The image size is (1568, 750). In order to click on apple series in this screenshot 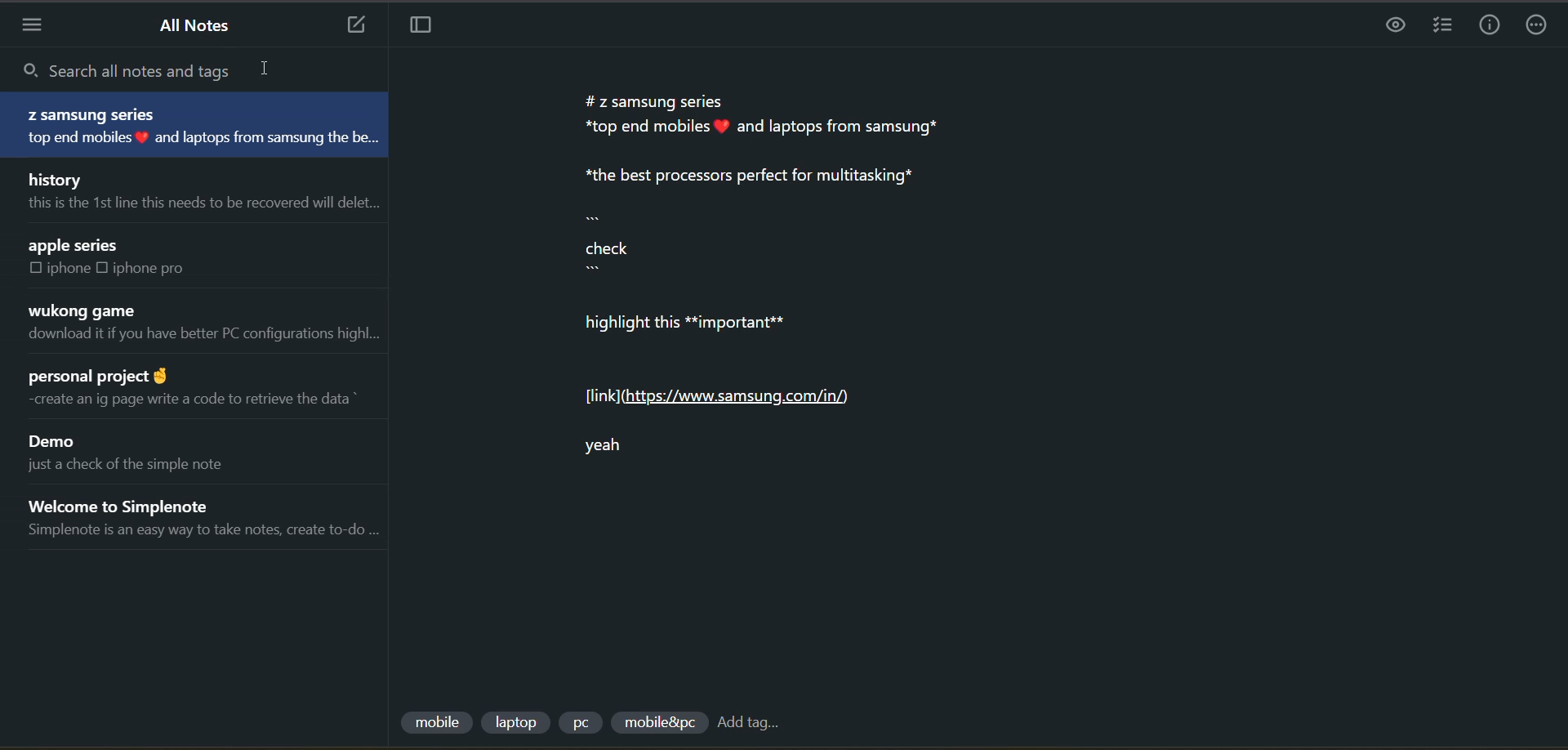, I will do `click(77, 245)`.